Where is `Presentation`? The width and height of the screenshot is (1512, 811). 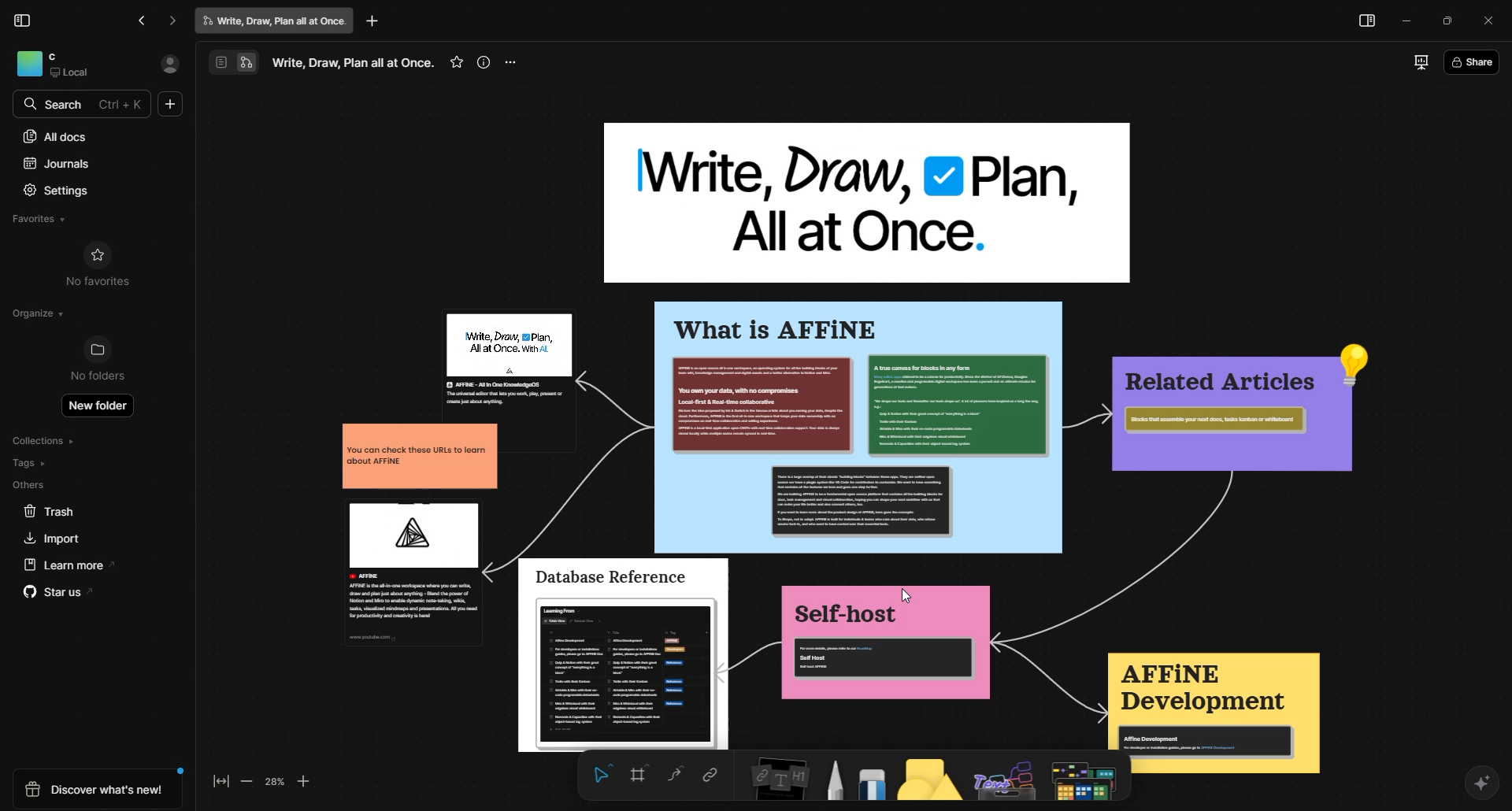
Presentation is located at coordinates (1415, 61).